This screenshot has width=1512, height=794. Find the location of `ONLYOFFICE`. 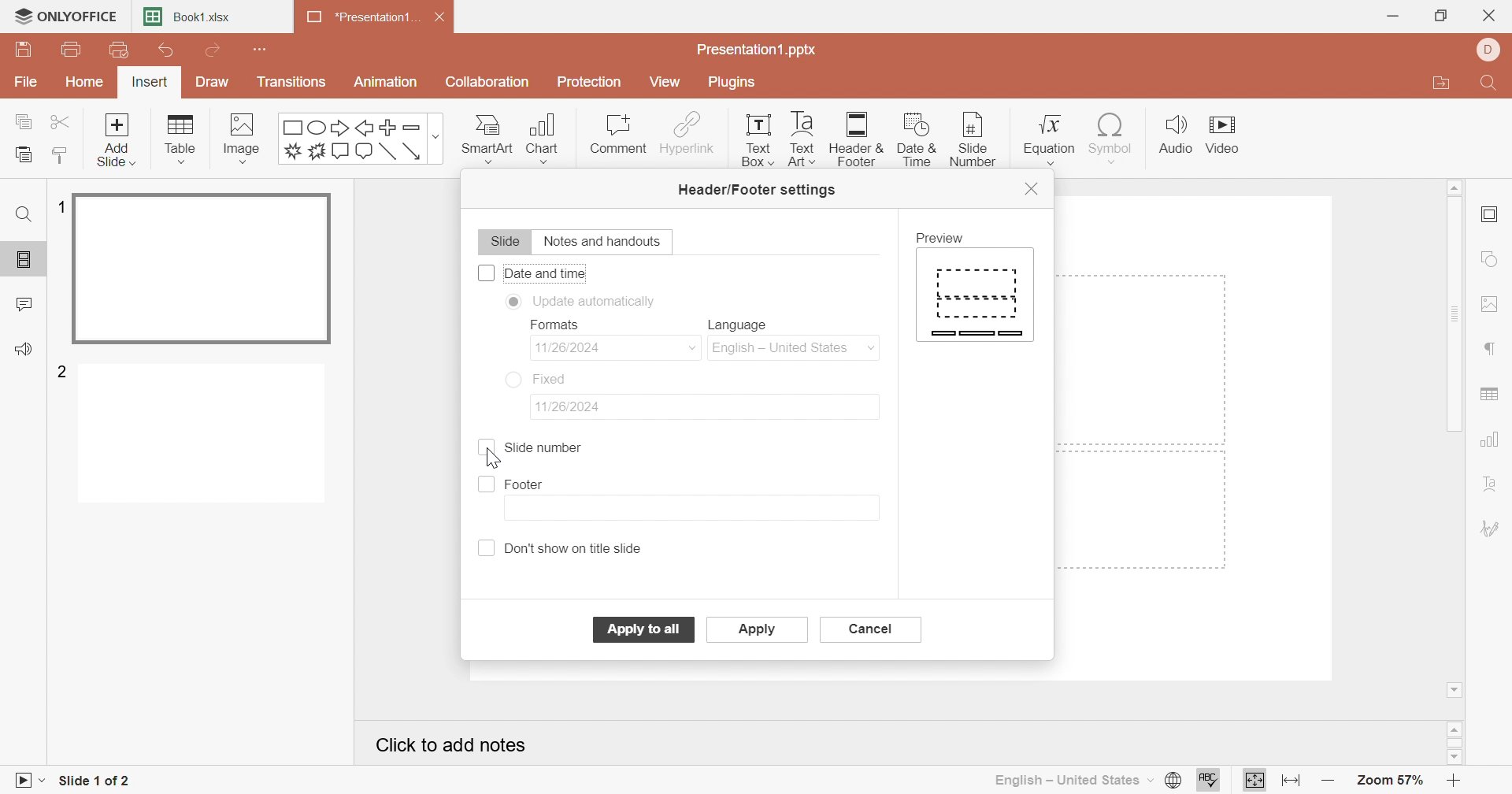

ONLYOFFICE is located at coordinates (65, 14).